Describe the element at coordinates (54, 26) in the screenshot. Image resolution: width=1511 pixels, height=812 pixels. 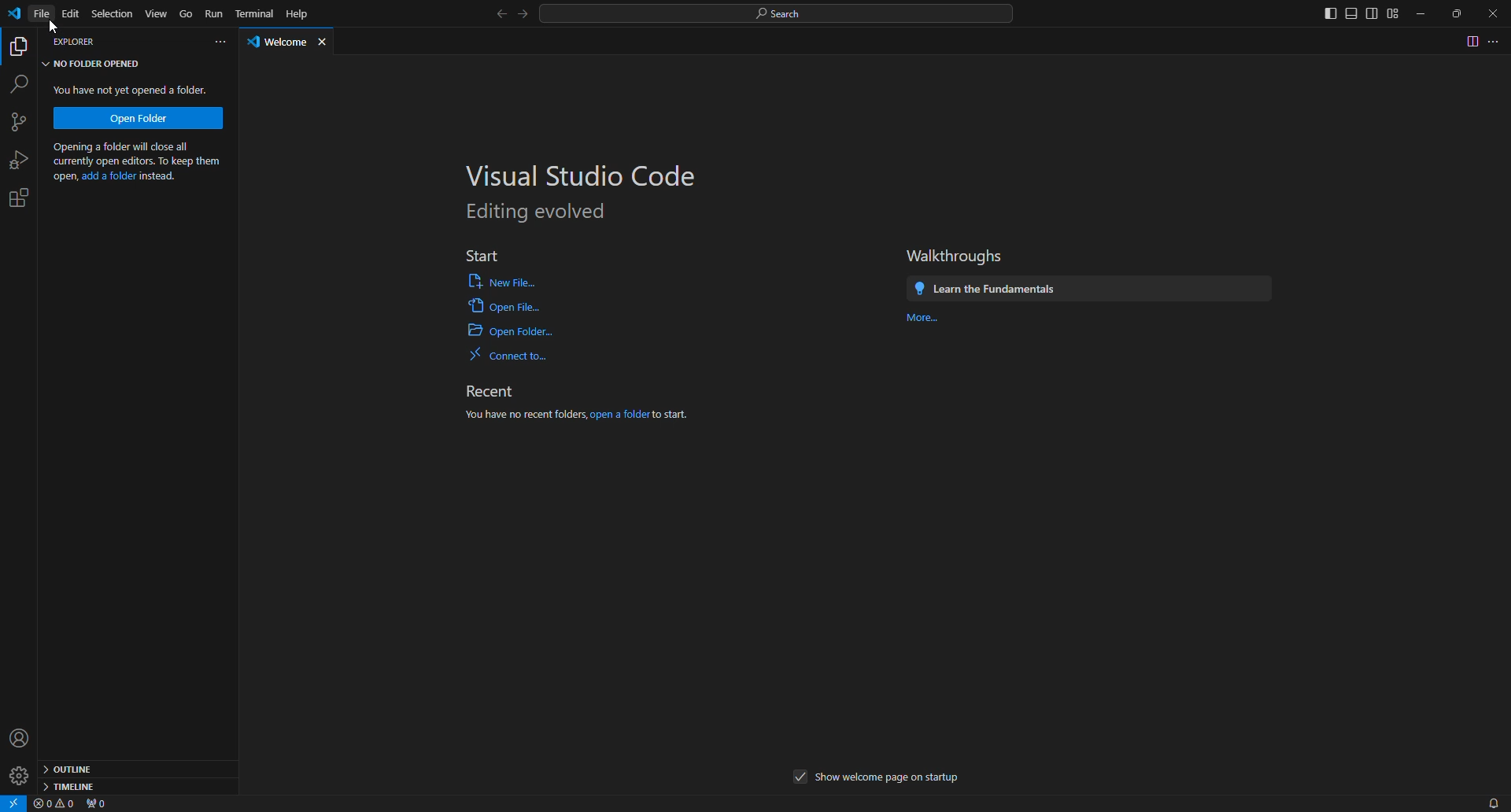
I see `cursor` at that location.